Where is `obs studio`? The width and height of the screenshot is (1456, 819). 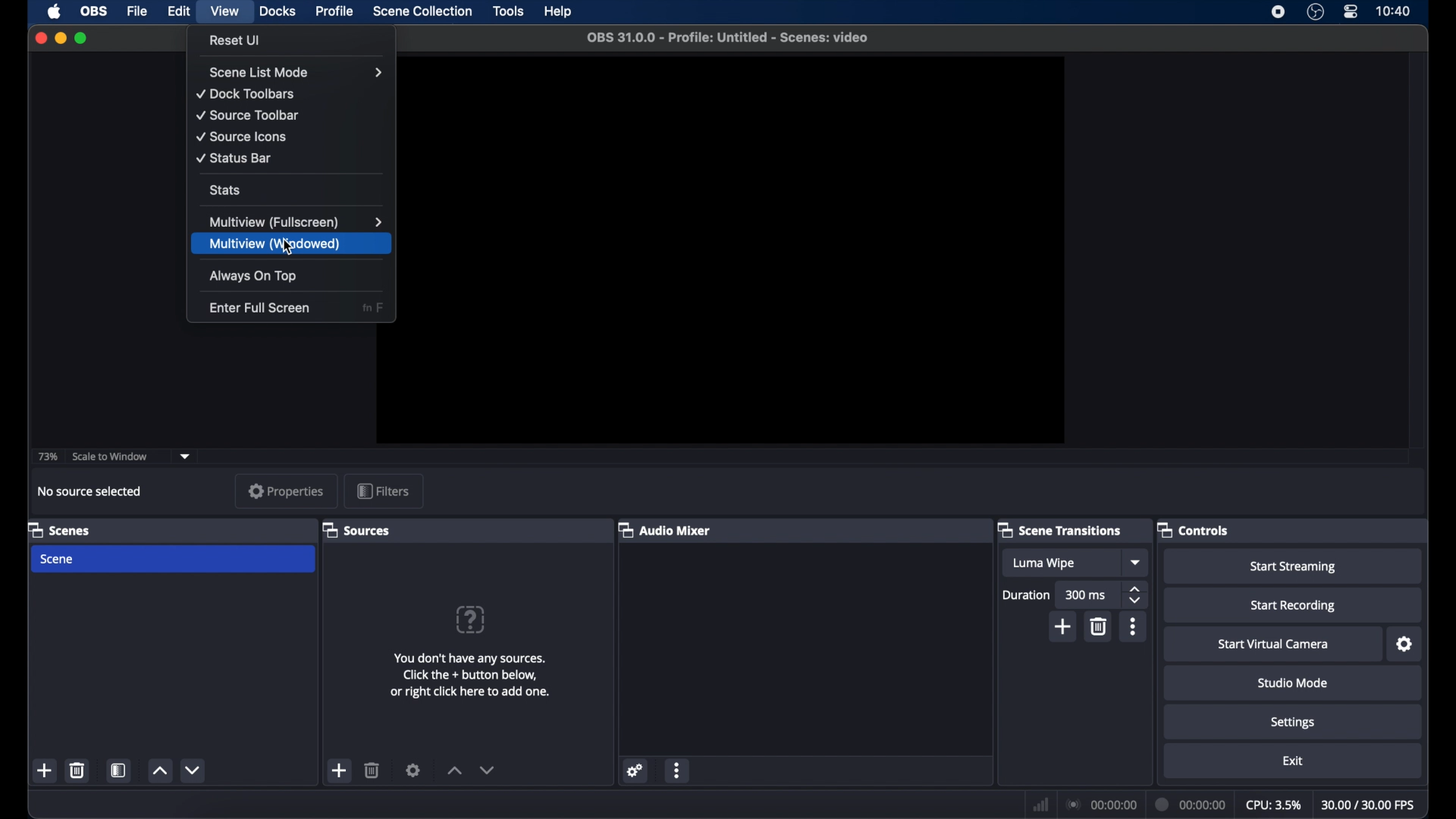
obs studio is located at coordinates (1316, 14).